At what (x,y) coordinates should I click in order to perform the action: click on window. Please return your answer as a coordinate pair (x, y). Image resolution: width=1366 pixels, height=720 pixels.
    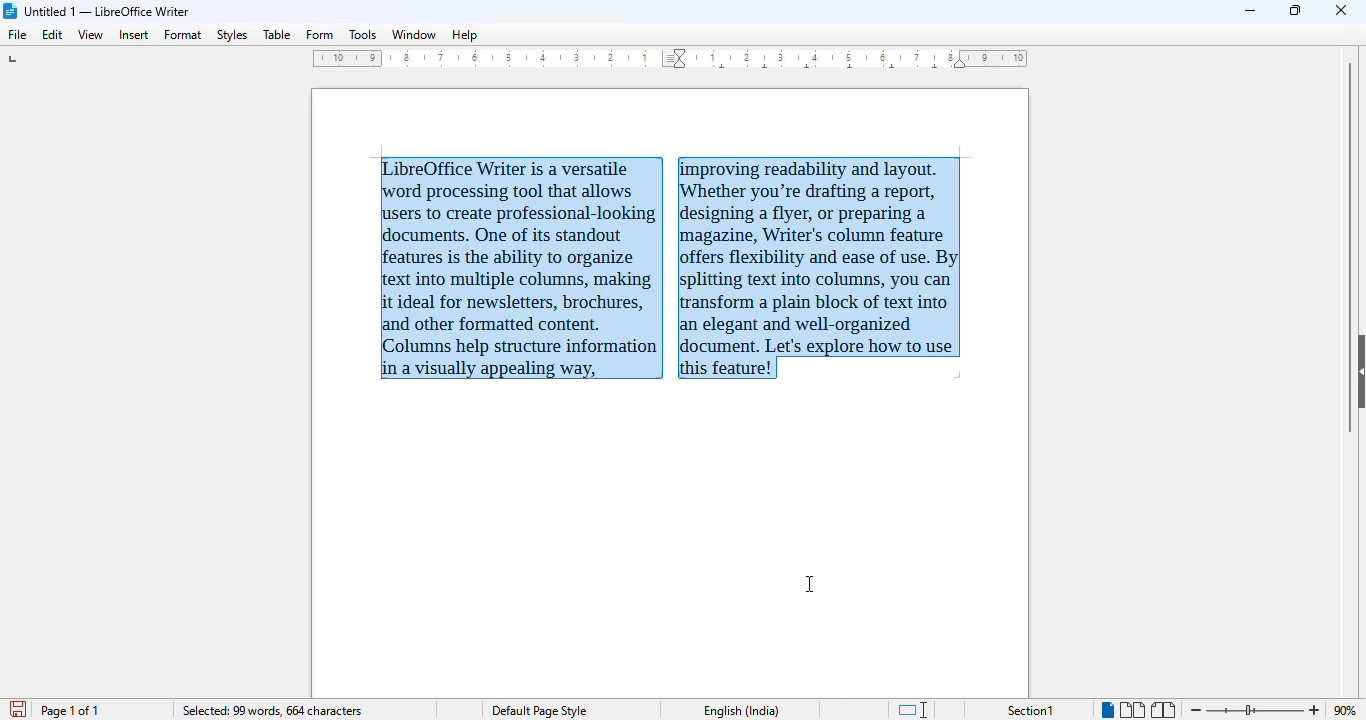
    Looking at the image, I should click on (414, 35).